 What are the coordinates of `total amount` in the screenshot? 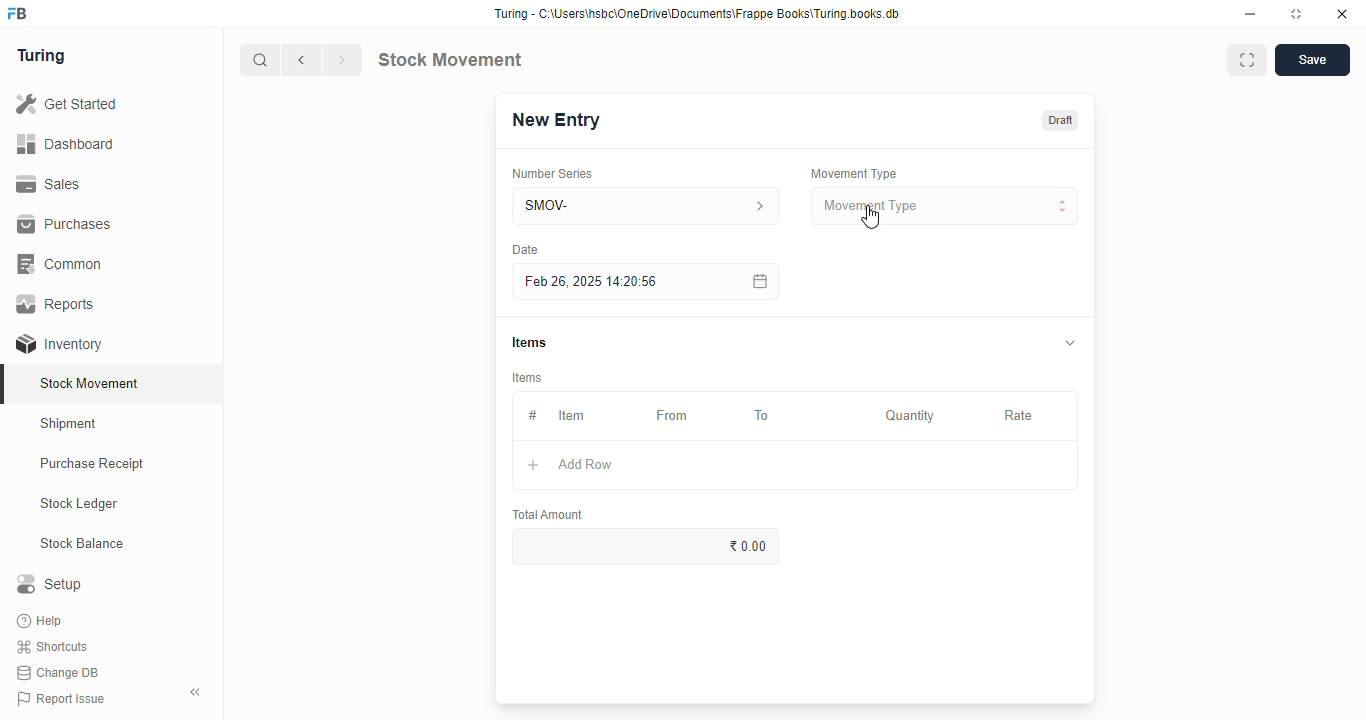 It's located at (549, 514).